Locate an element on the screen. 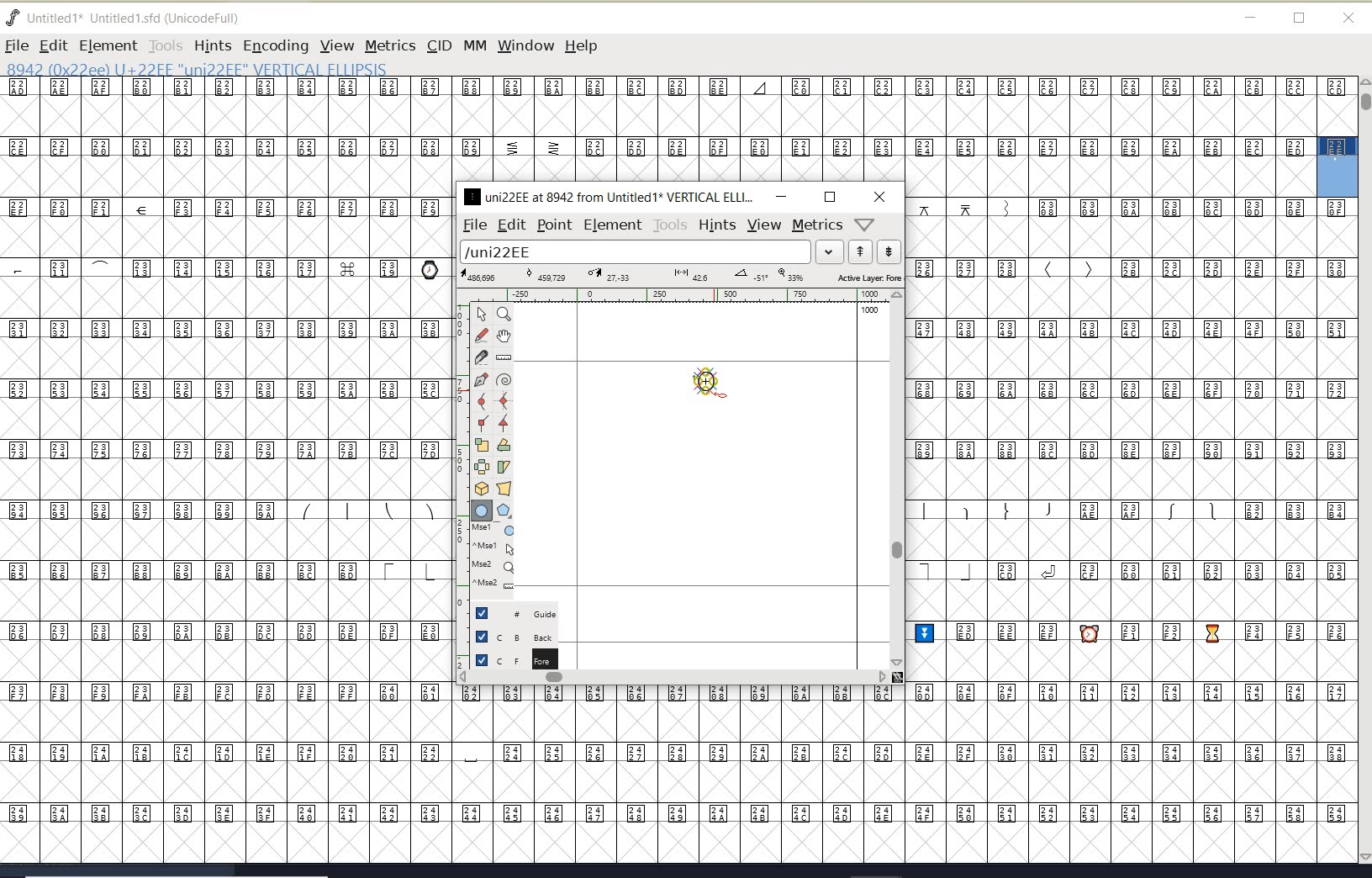 This screenshot has height=878, width=1372. rectangle or ellipse is located at coordinates (483, 511).